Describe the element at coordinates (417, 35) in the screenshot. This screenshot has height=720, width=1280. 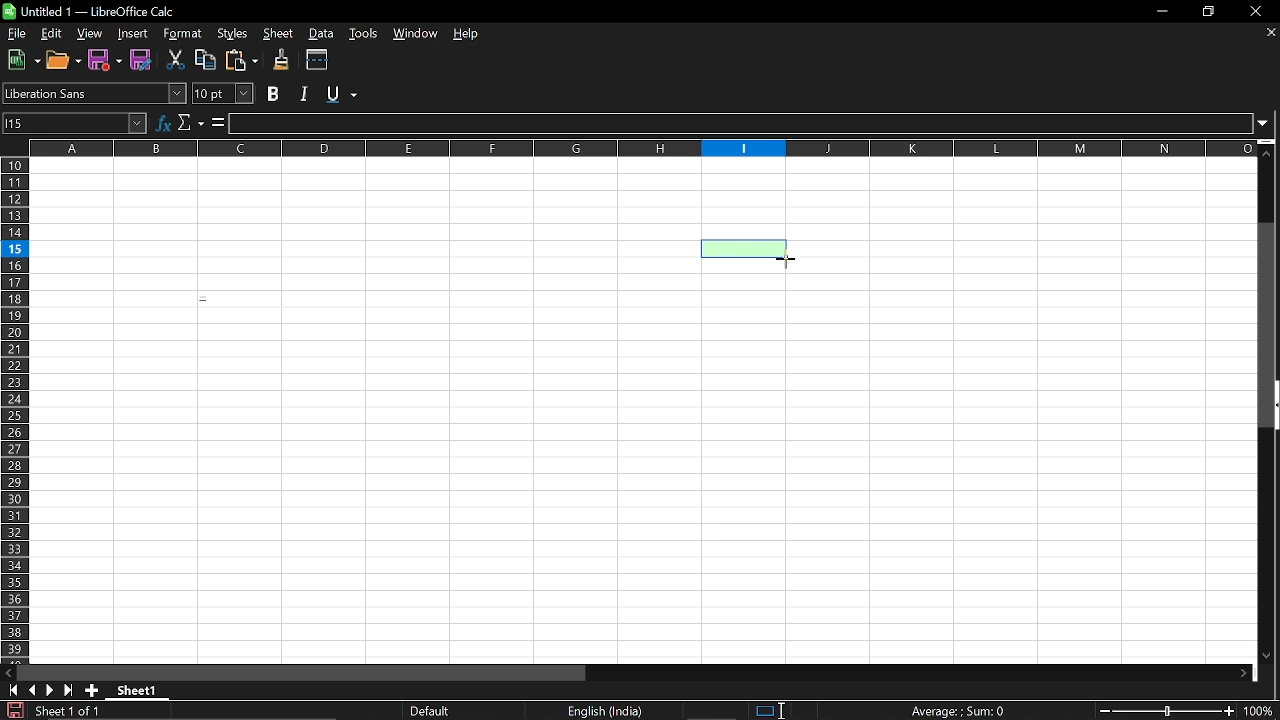
I see `Window` at that location.